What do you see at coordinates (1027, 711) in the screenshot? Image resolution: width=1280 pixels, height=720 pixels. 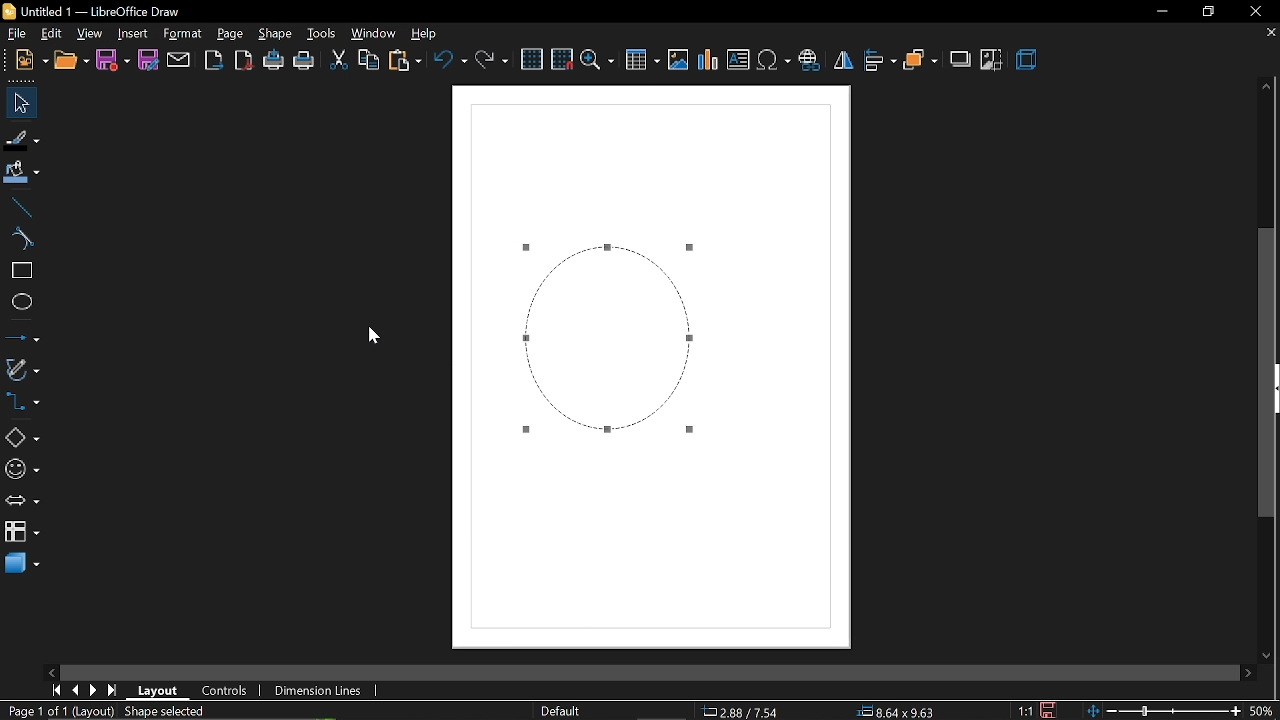 I see `scaling factor (1:1)` at bounding box center [1027, 711].